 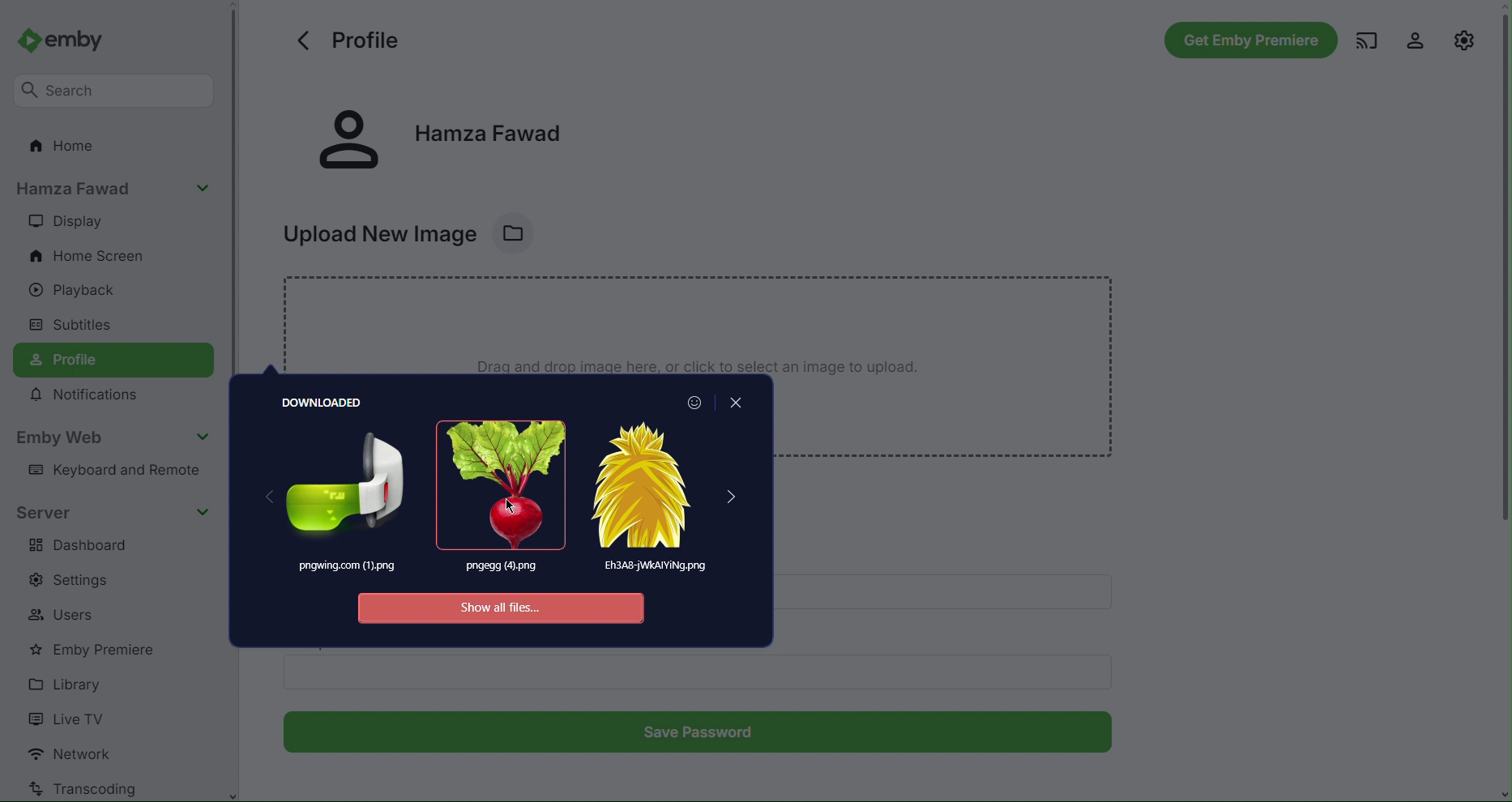 I want to click on Cast Media, so click(x=1364, y=41).